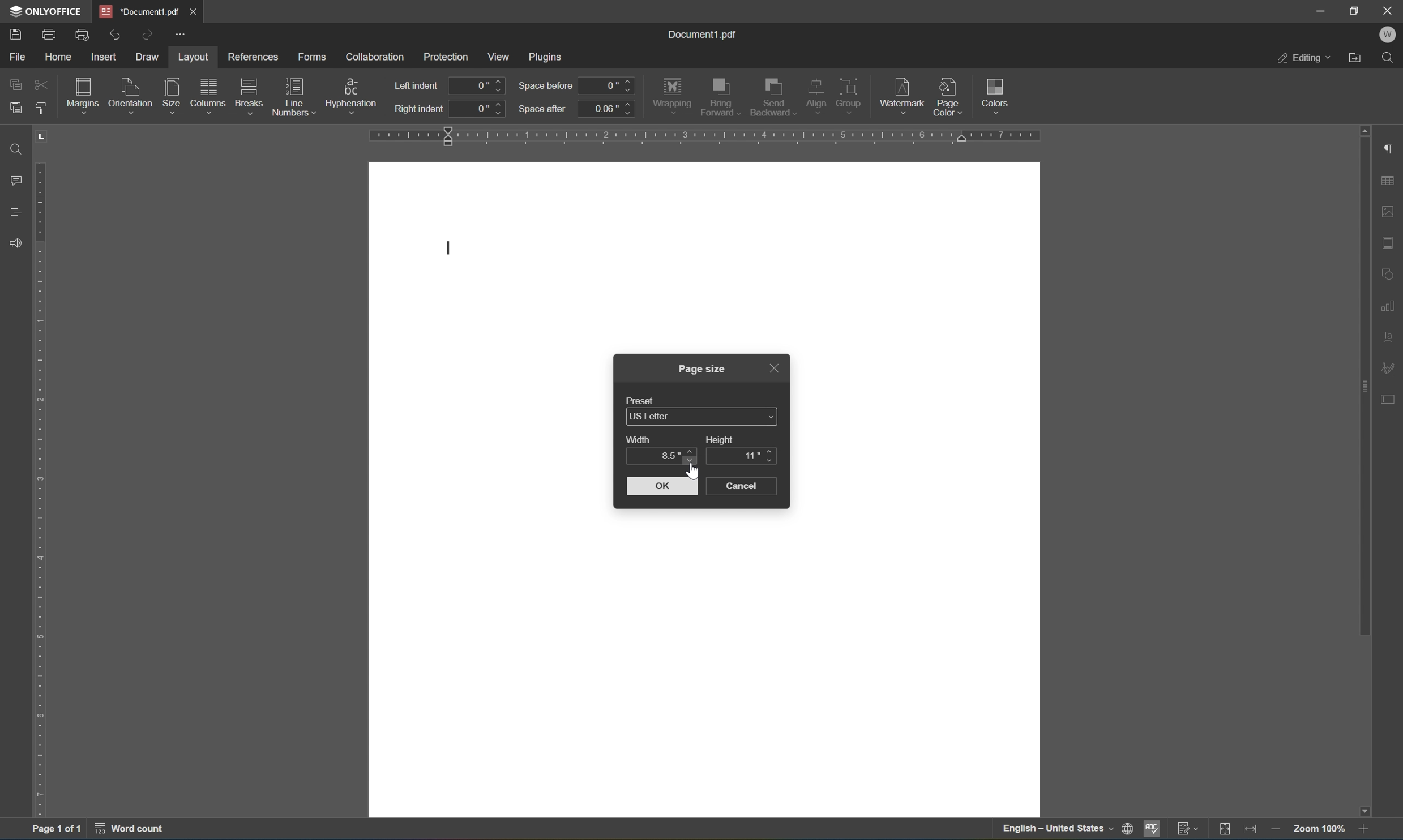 The height and width of the screenshot is (840, 1403). I want to click on zoom out, so click(1275, 830).